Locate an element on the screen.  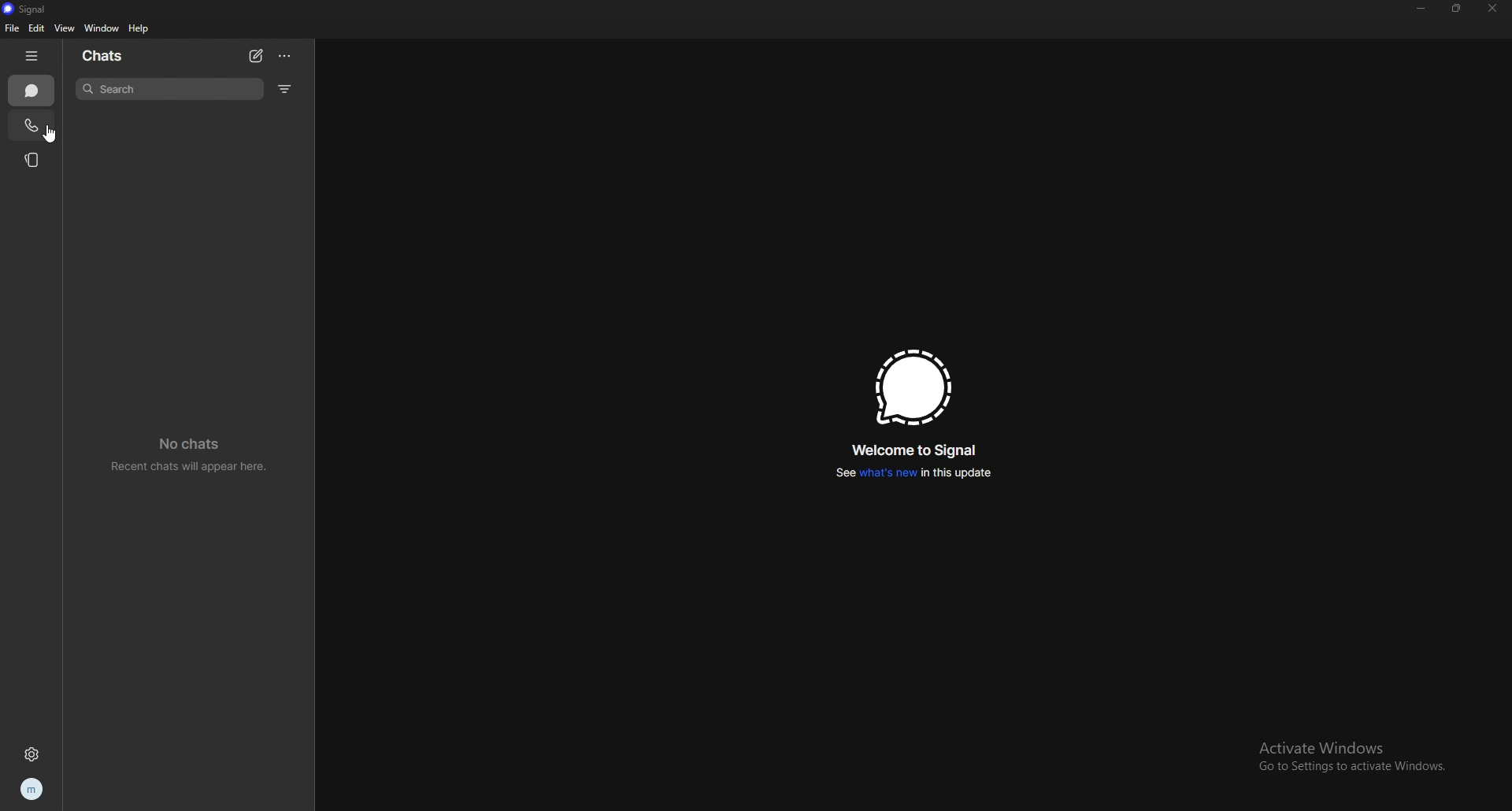
resize is located at coordinates (1458, 8).